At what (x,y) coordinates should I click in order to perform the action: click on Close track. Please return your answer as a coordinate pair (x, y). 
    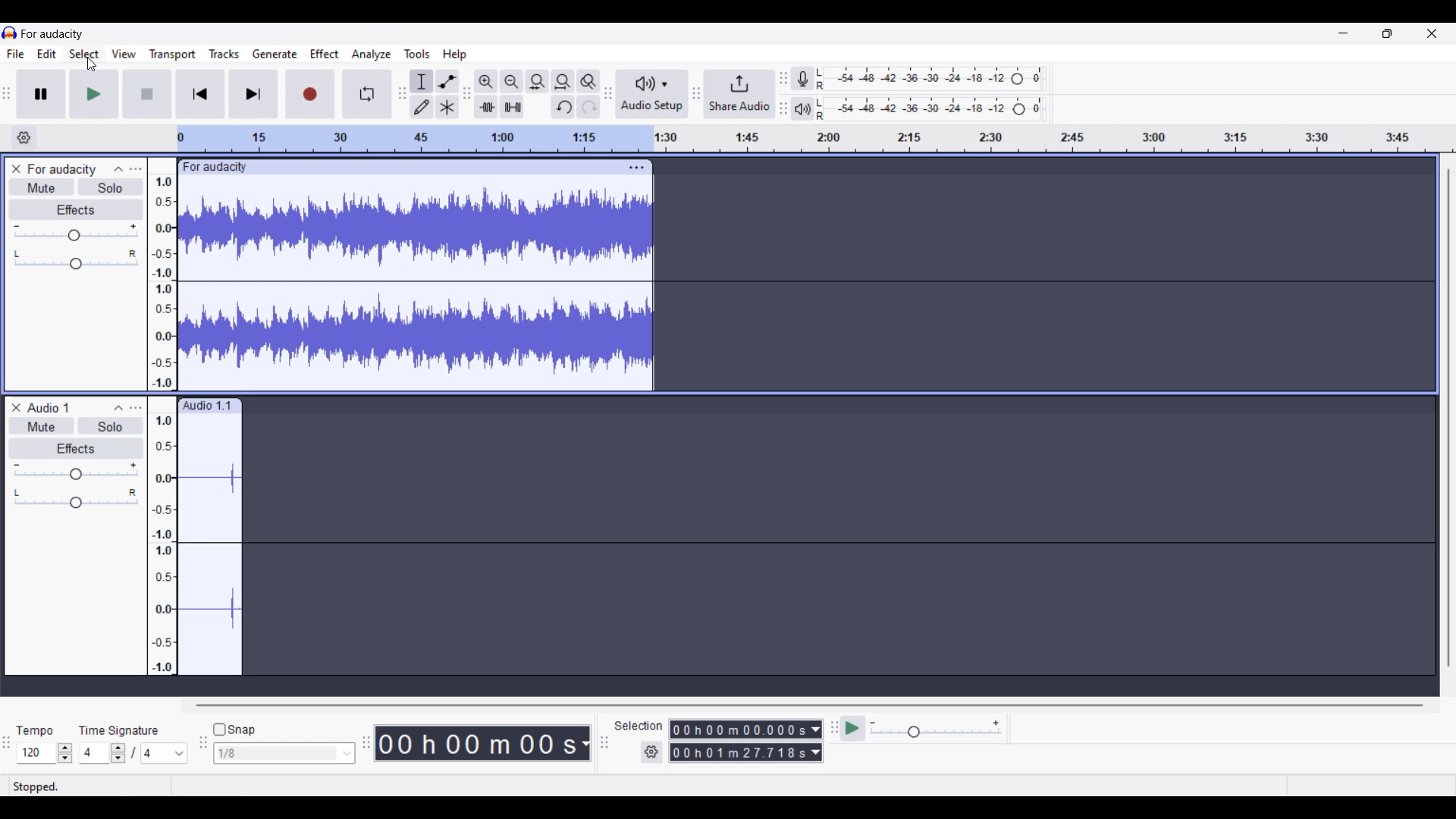
    Looking at the image, I should click on (16, 168).